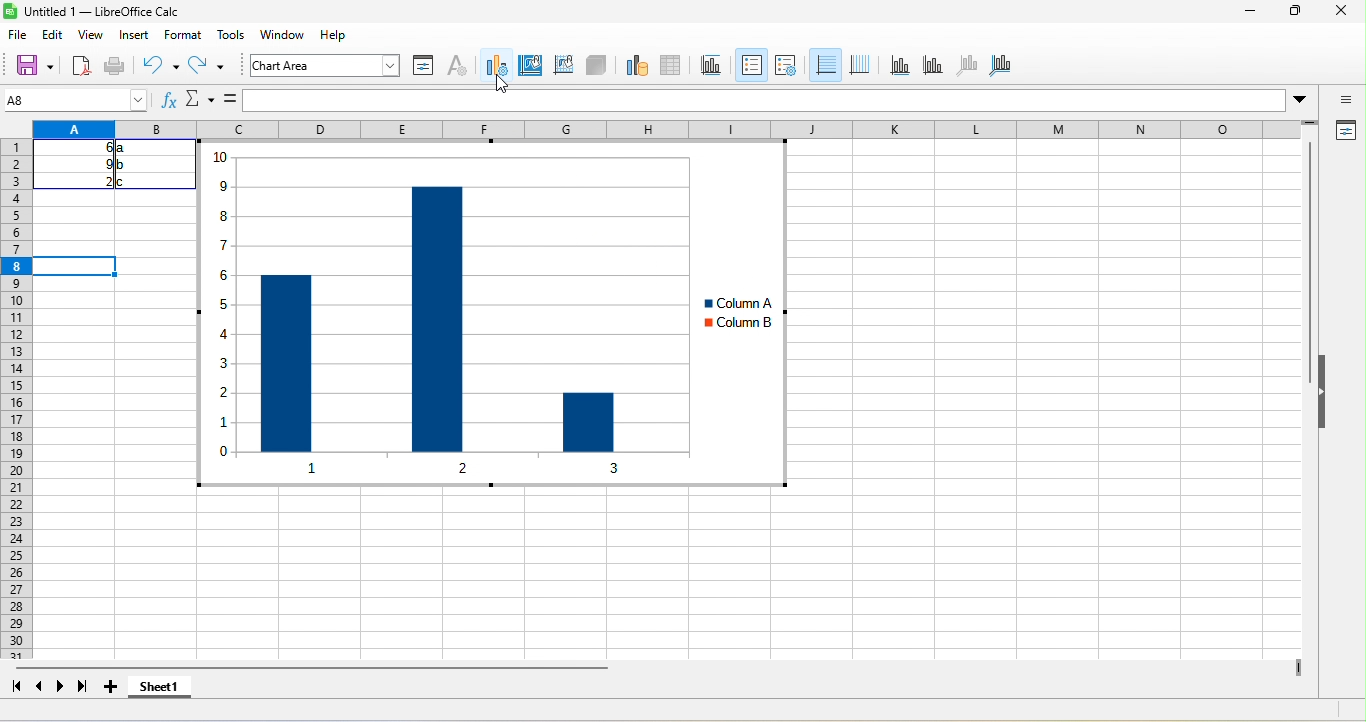 The width and height of the screenshot is (1366, 722). I want to click on 9, so click(94, 165).